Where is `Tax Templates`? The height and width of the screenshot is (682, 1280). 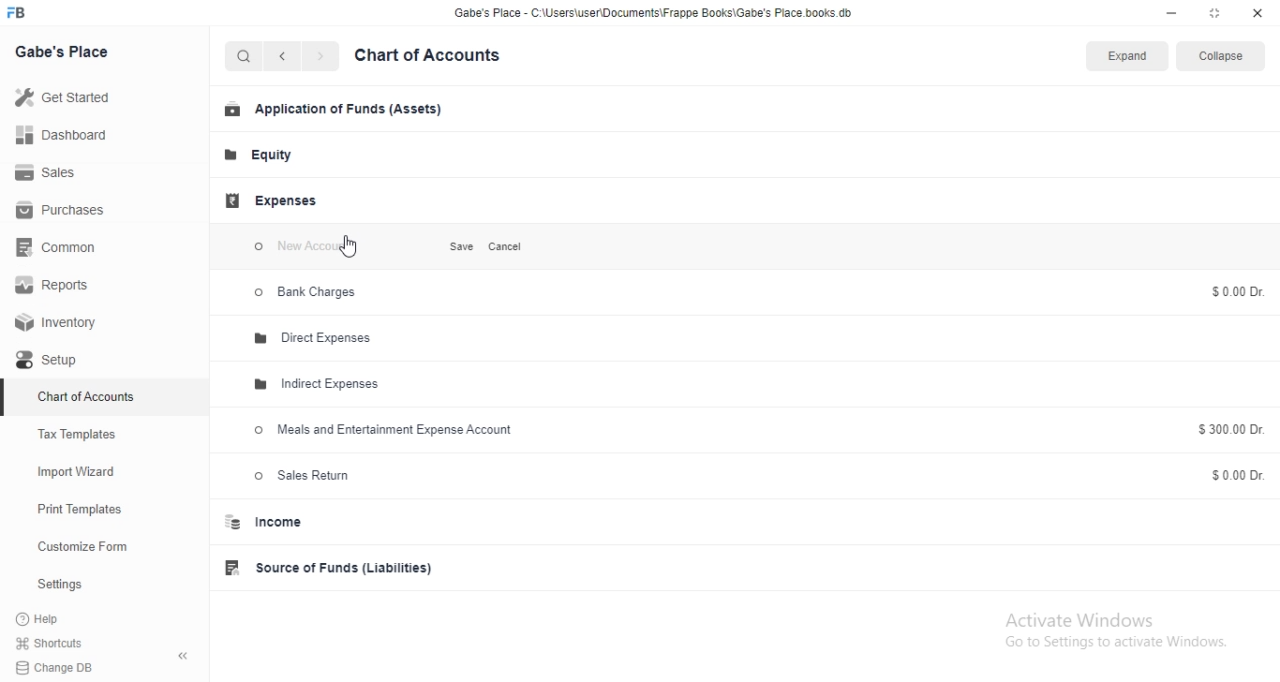 Tax Templates is located at coordinates (85, 431).